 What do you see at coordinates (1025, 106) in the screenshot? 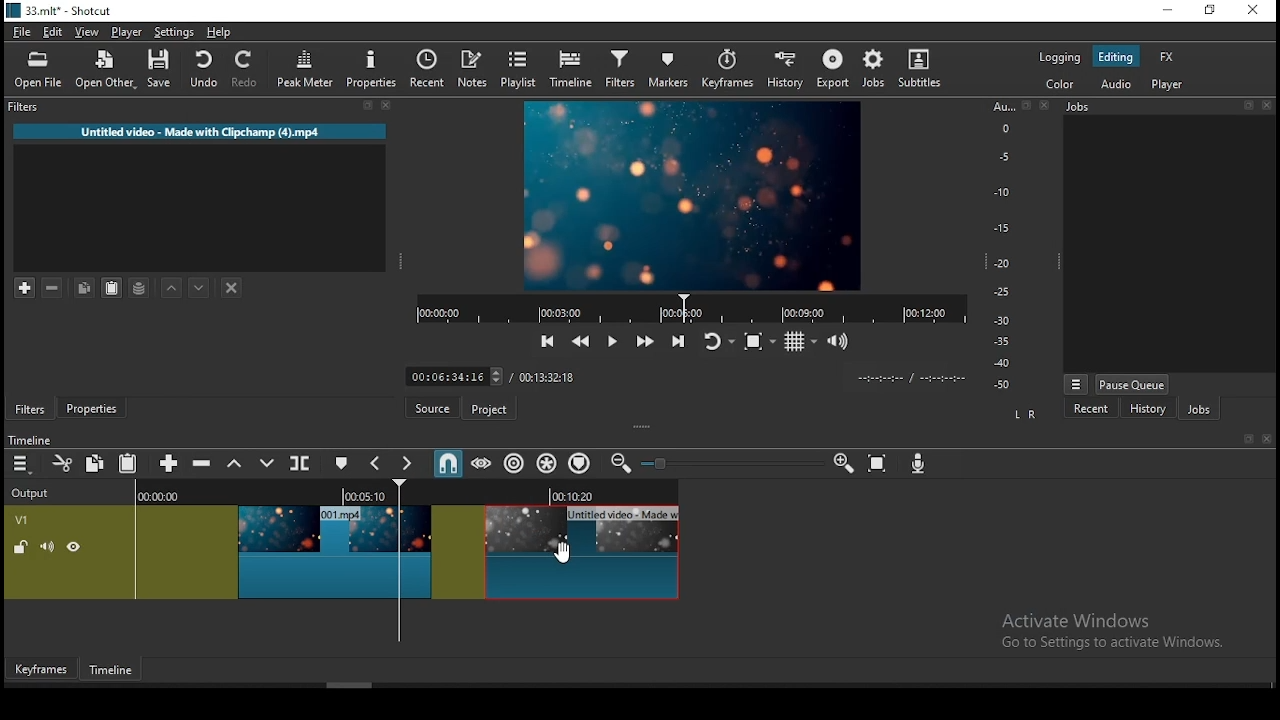
I see `` at bounding box center [1025, 106].